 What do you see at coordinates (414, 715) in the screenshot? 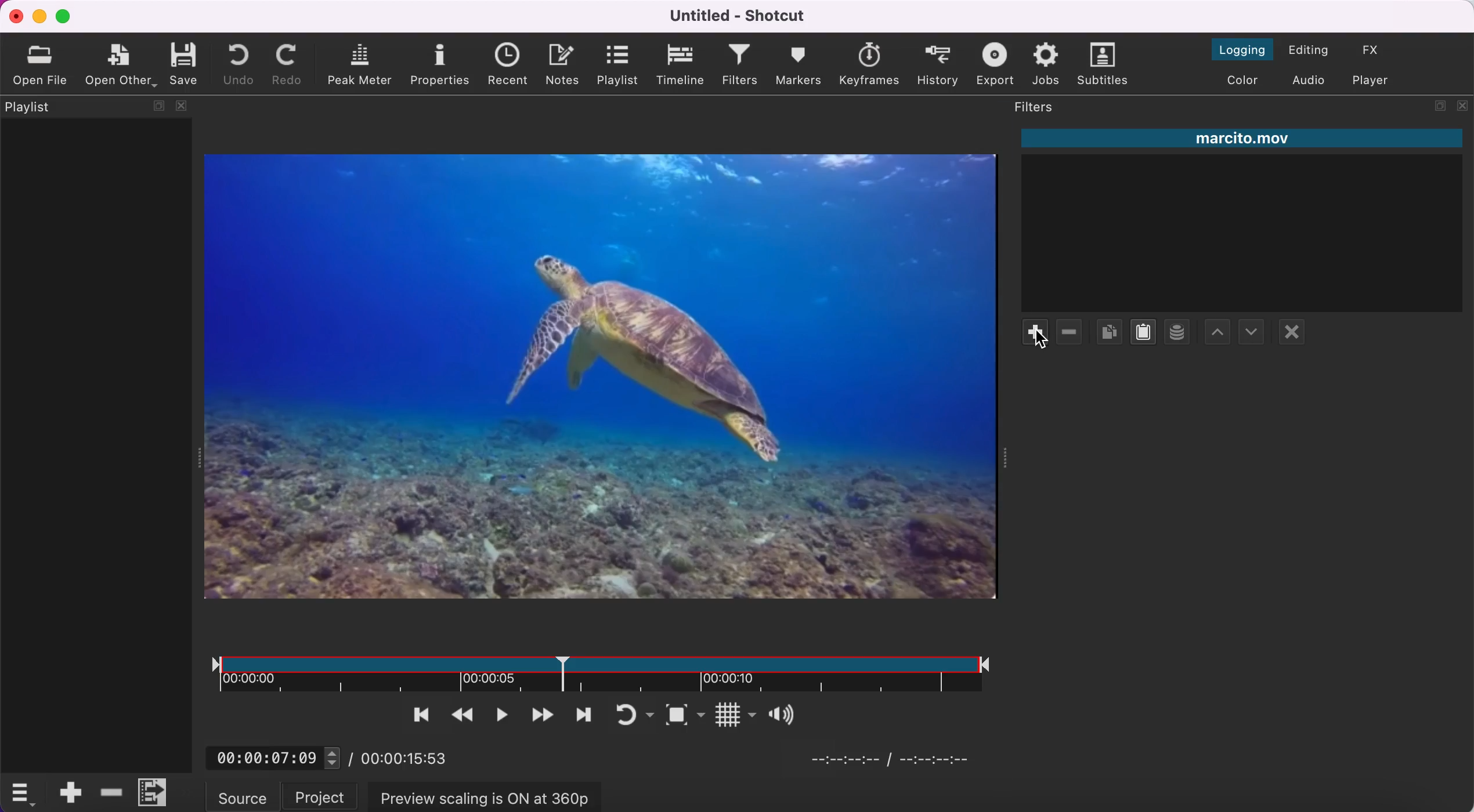
I see `skip to the previous point` at bounding box center [414, 715].